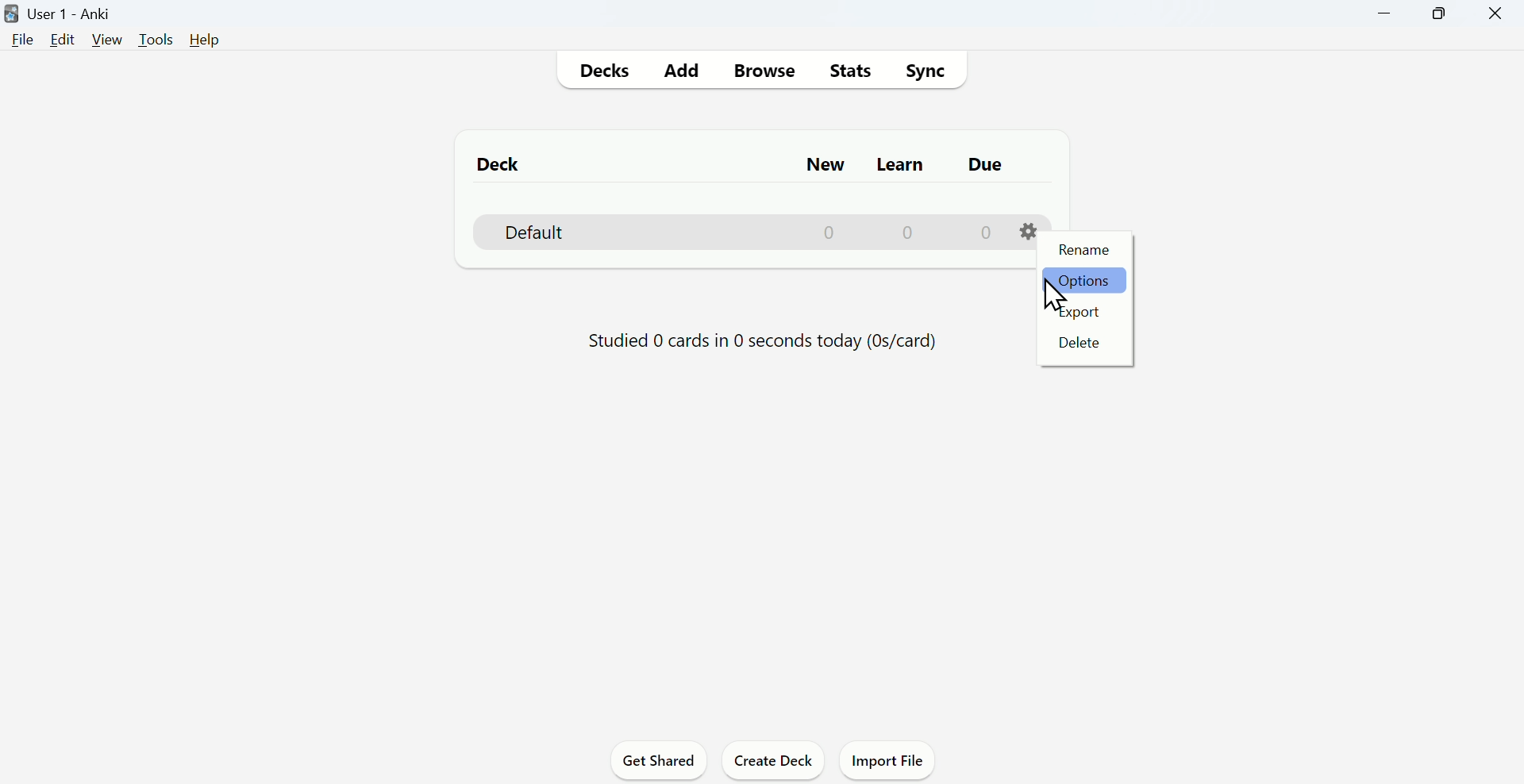 This screenshot has width=1524, height=784. What do you see at coordinates (677, 71) in the screenshot?
I see `Add` at bounding box center [677, 71].